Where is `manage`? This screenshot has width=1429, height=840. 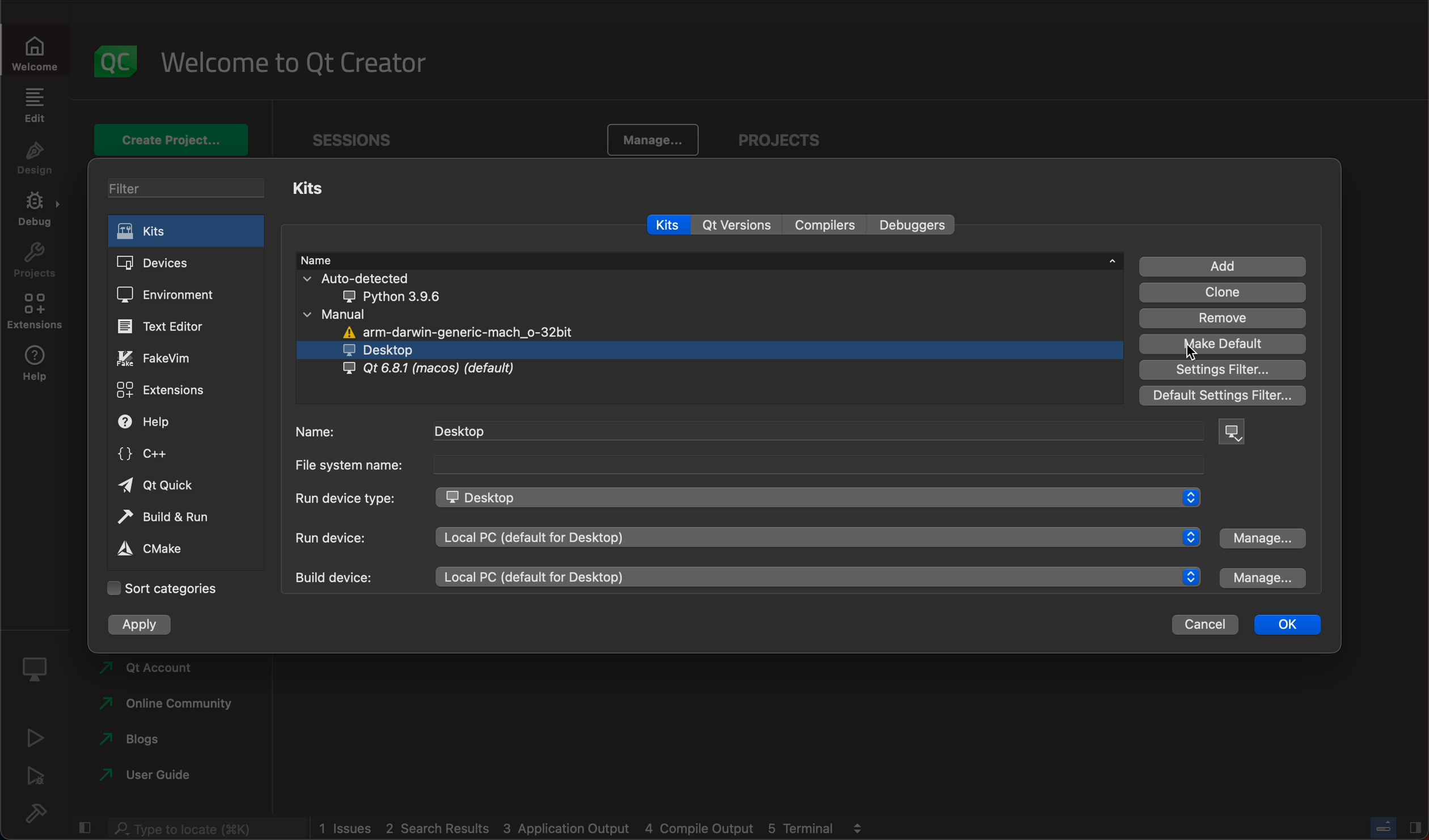
manage is located at coordinates (1264, 579).